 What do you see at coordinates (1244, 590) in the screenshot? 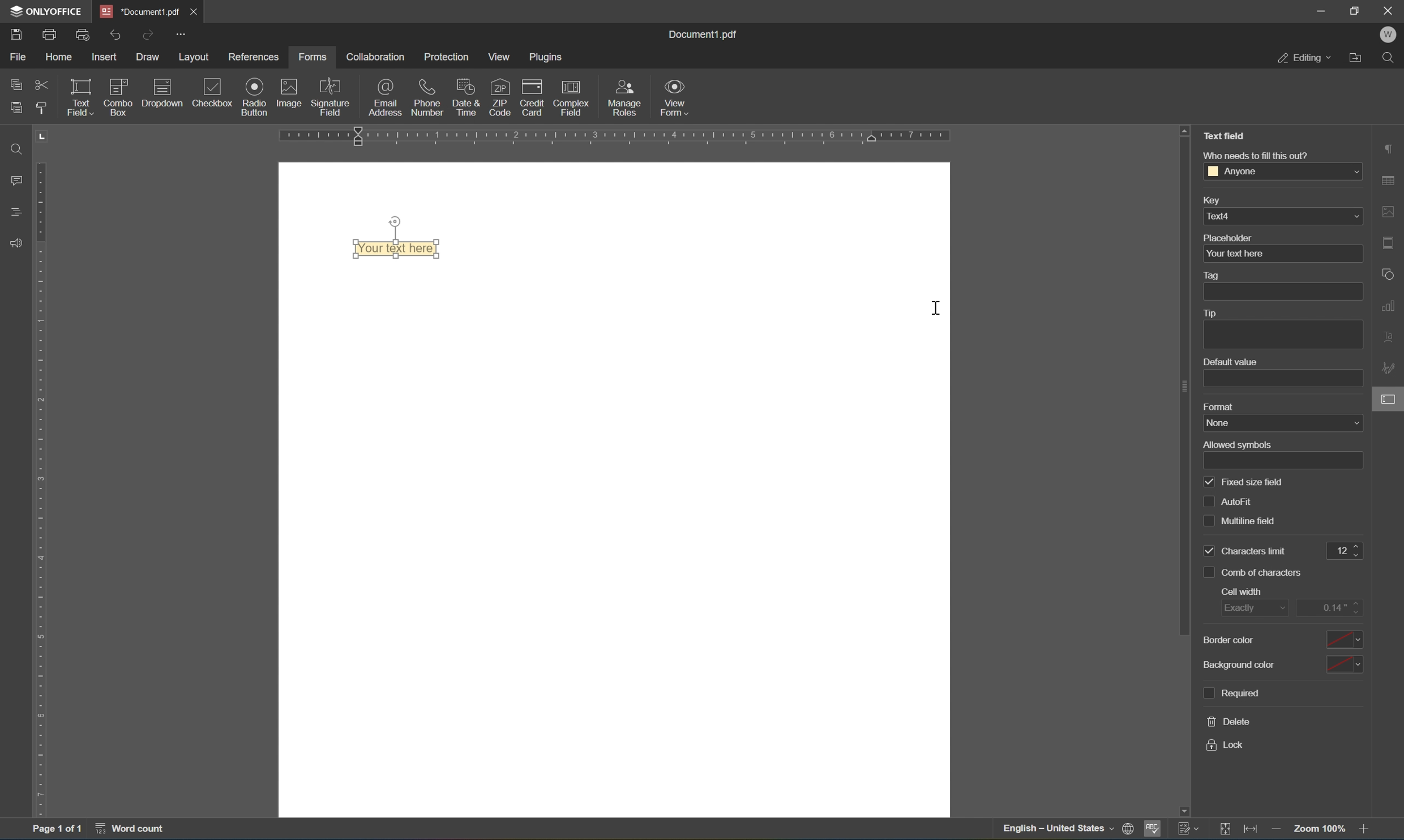
I see `cell width` at bounding box center [1244, 590].